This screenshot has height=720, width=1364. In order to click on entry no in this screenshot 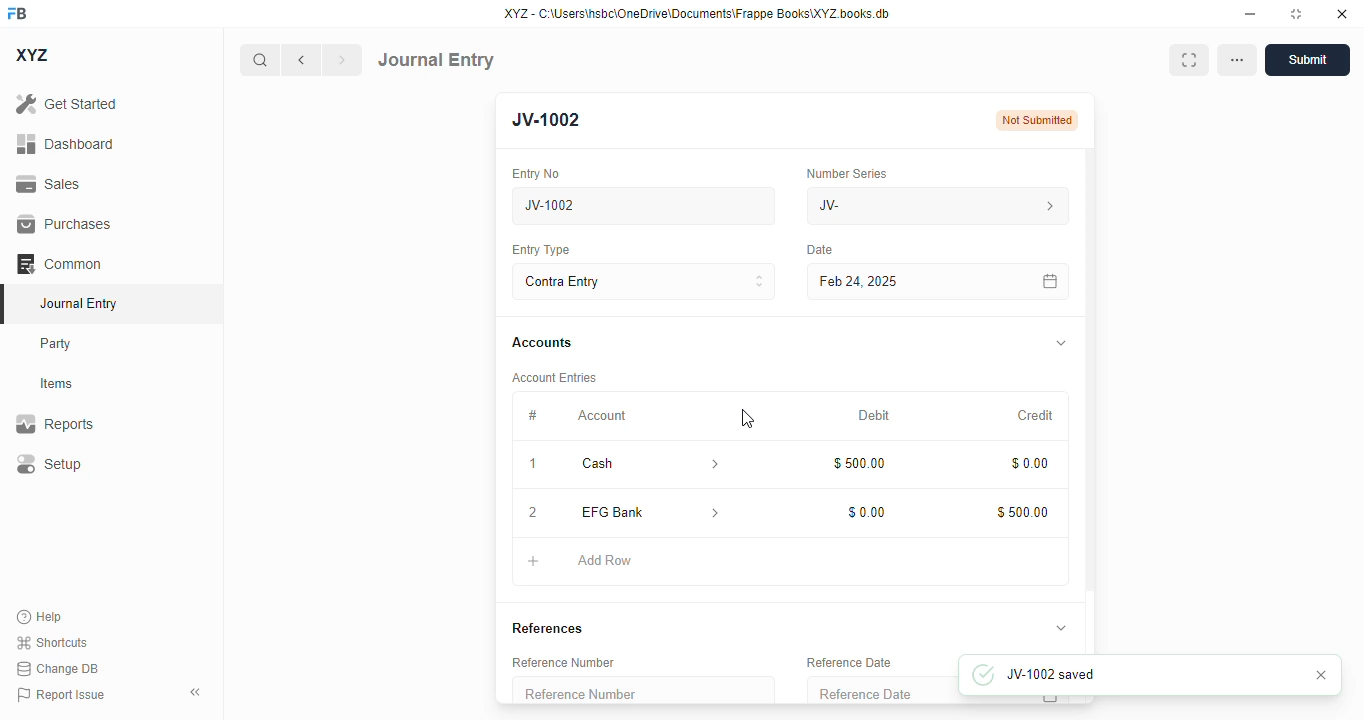, I will do `click(537, 173)`.